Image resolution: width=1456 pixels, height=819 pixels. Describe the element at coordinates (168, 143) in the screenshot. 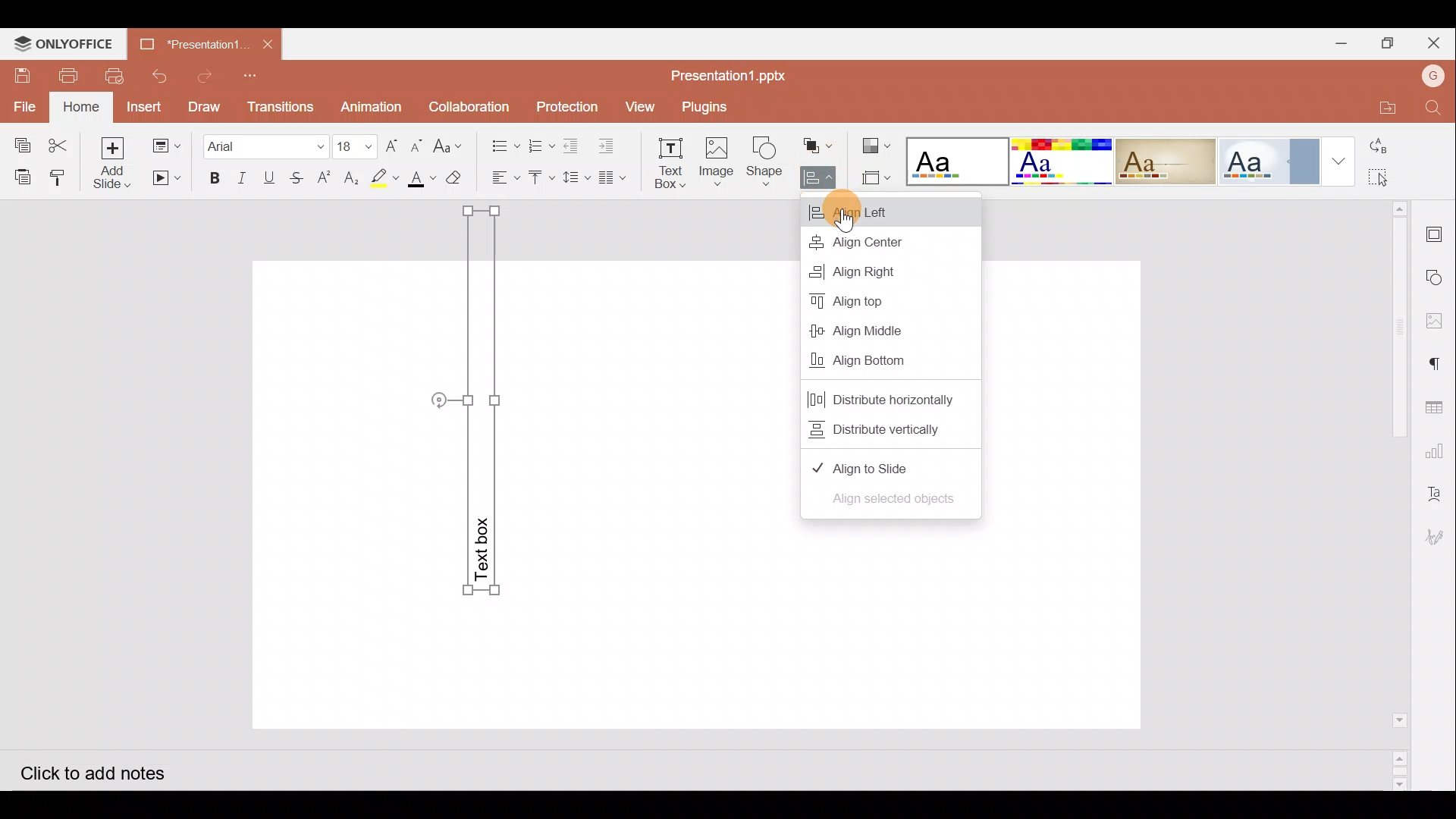

I see `Change slide layout` at that location.